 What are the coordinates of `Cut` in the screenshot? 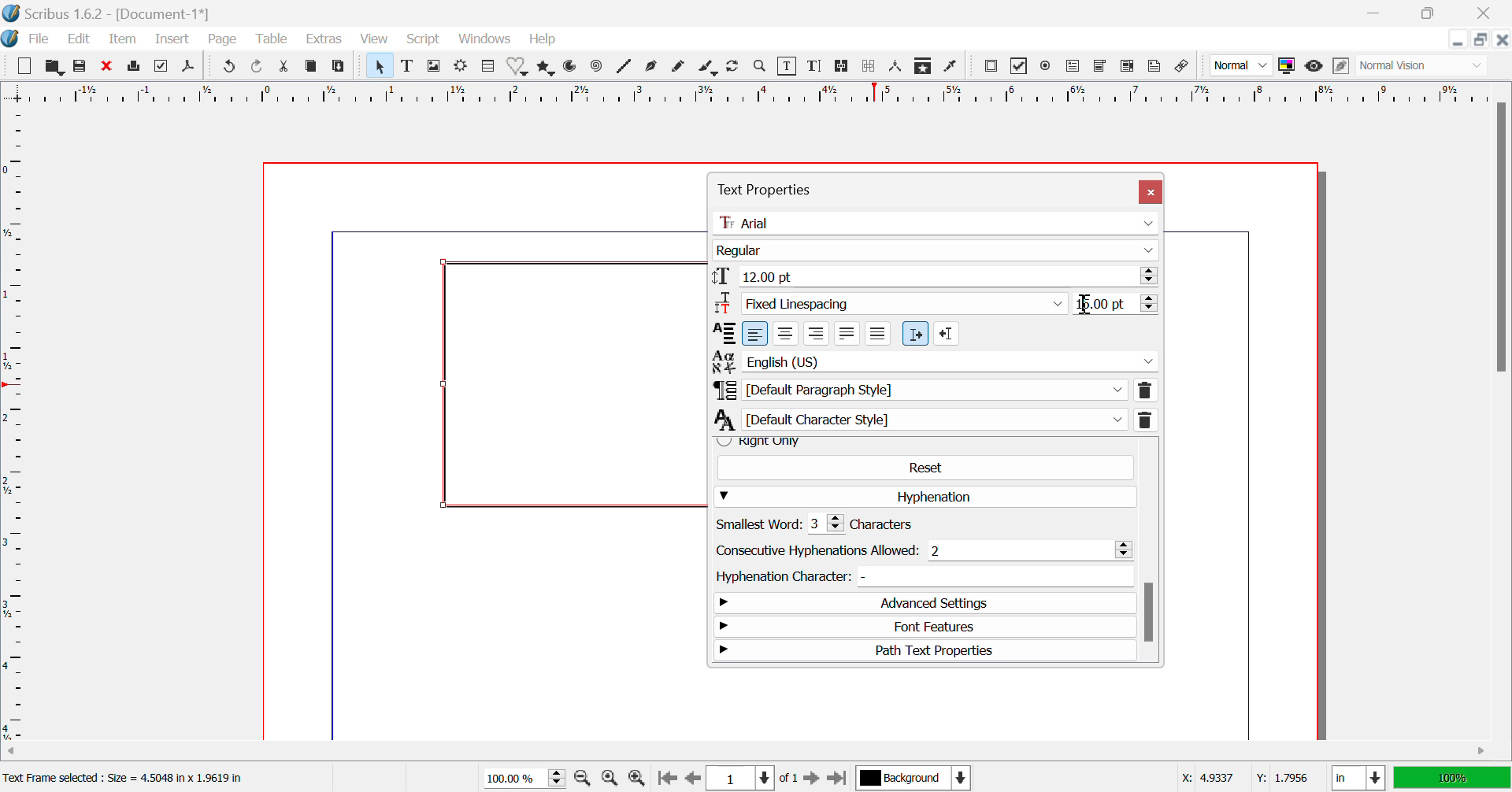 It's located at (284, 66).